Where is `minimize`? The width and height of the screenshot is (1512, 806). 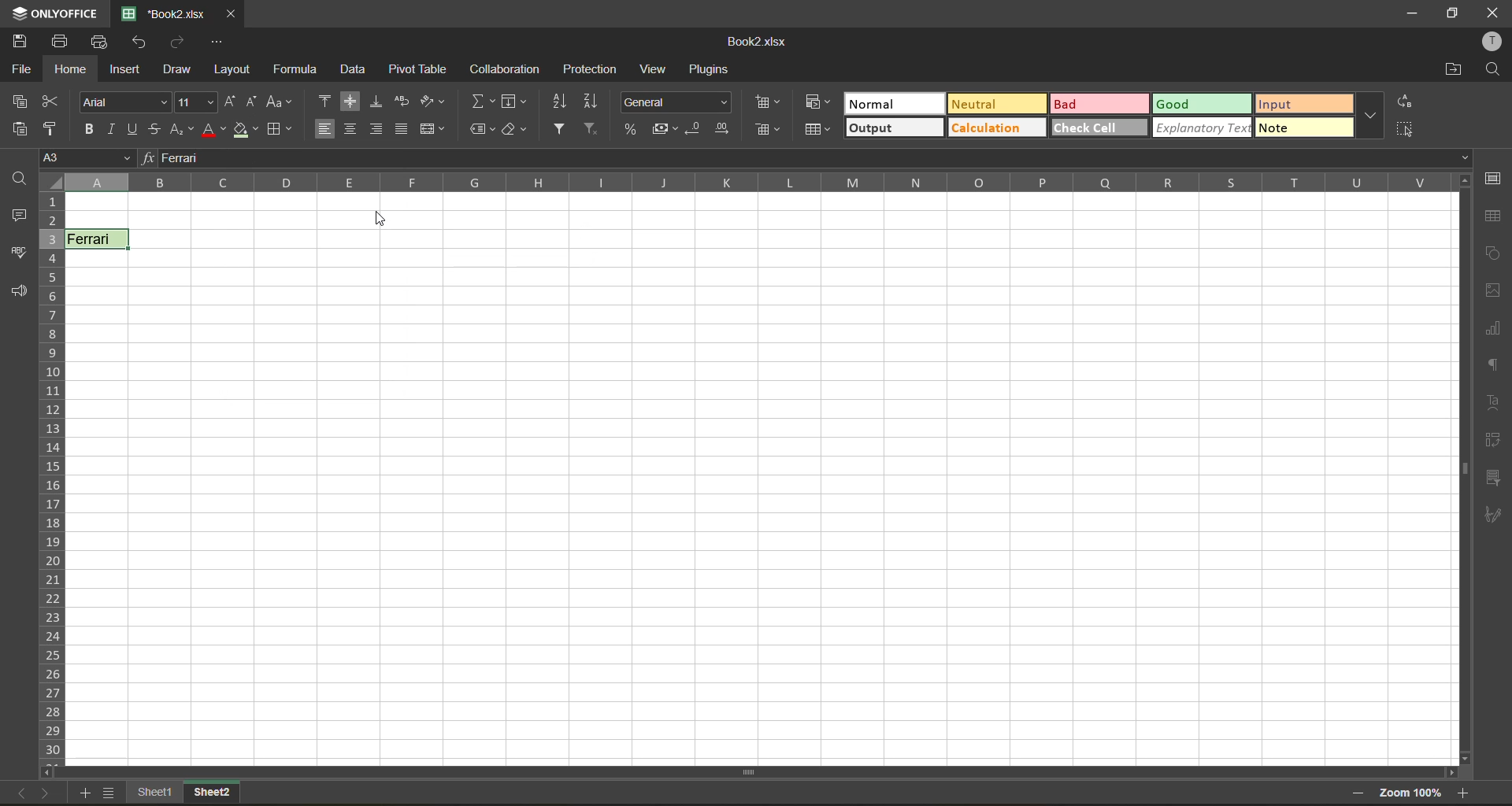
minimize is located at coordinates (1410, 15).